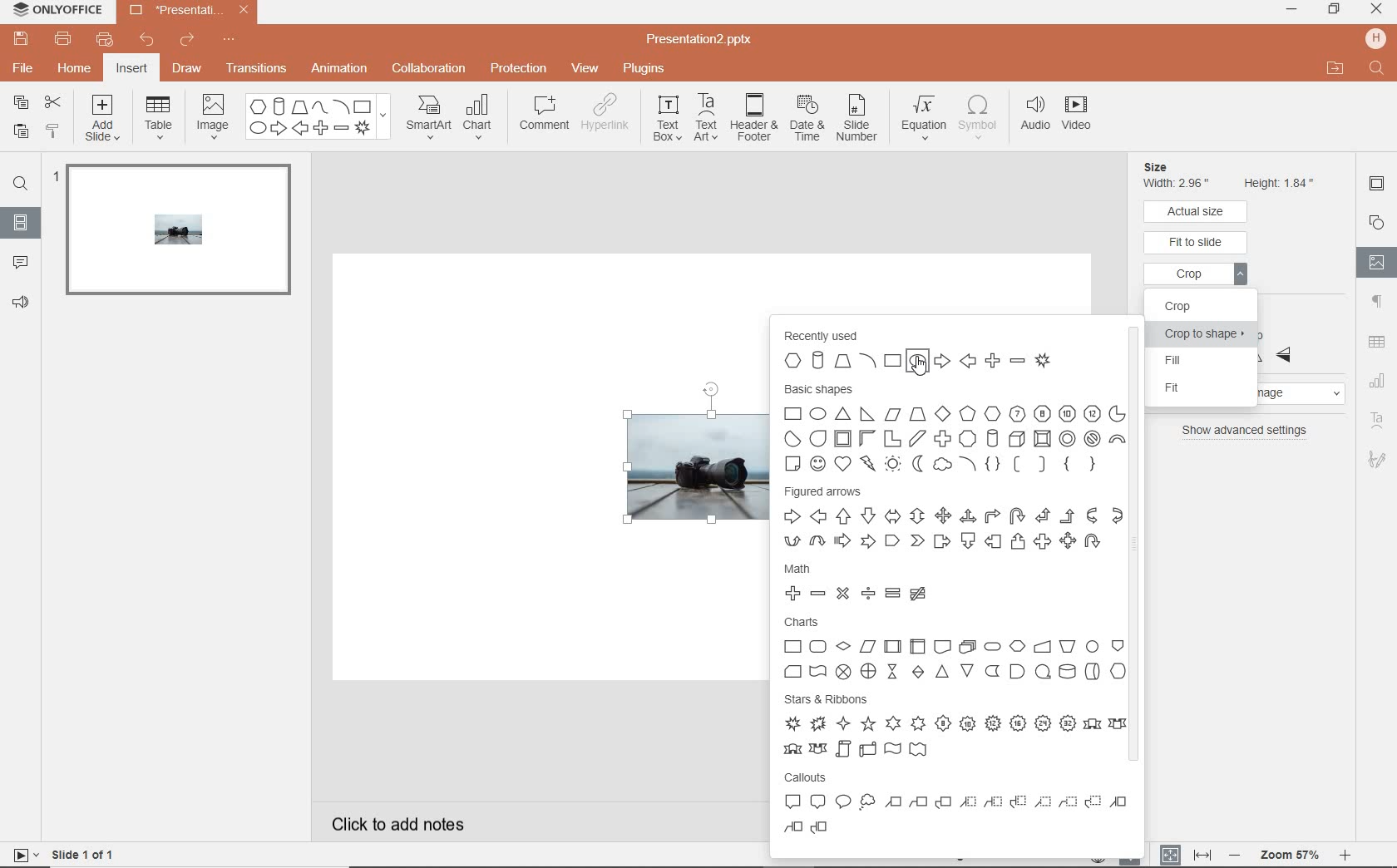  What do you see at coordinates (427, 118) in the screenshot?
I see `smartart` at bounding box center [427, 118].